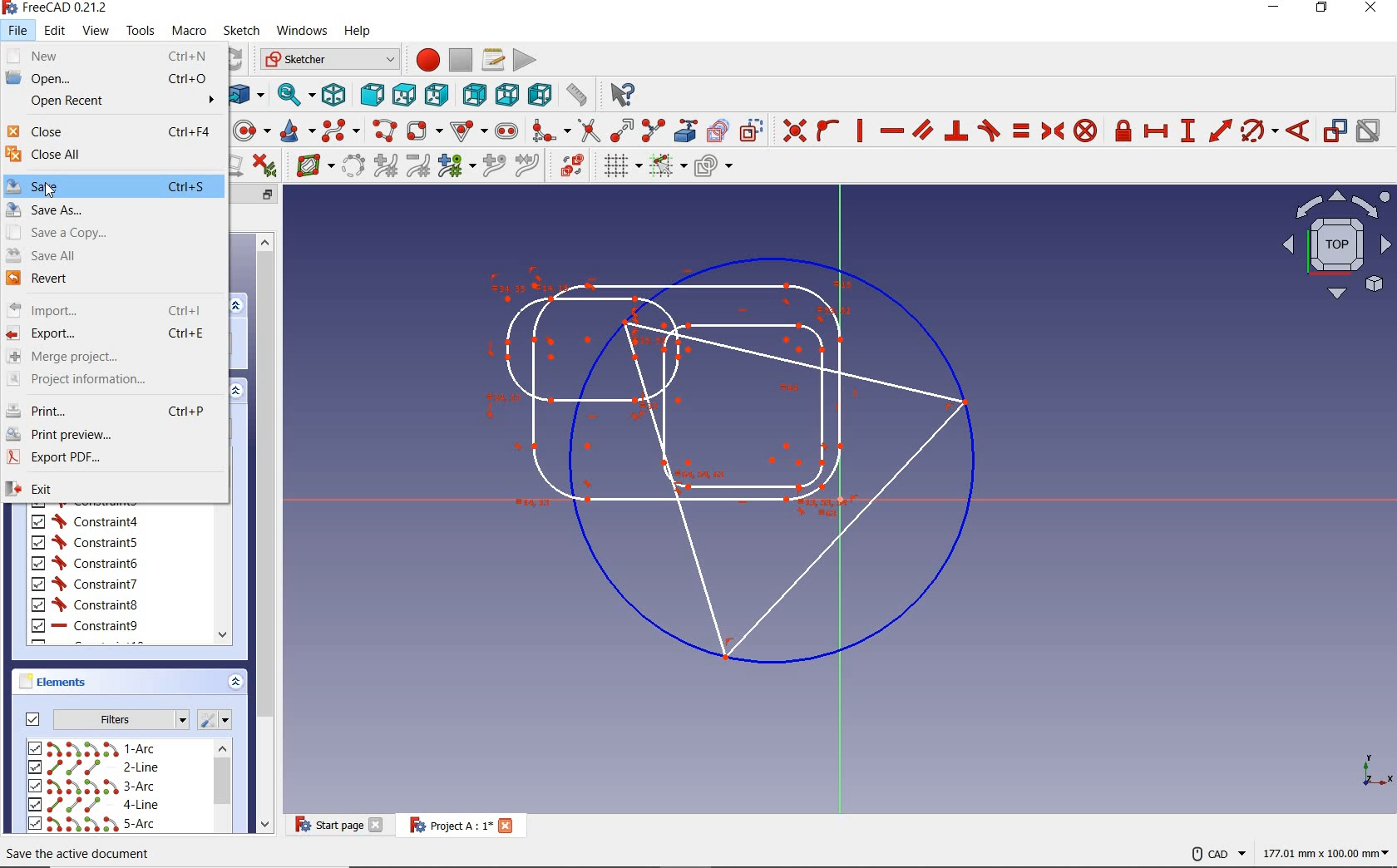 The height and width of the screenshot is (868, 1397). Describe the element at coordinates (461, 61) in the screenshot. I see `stop macro recording` at that location.